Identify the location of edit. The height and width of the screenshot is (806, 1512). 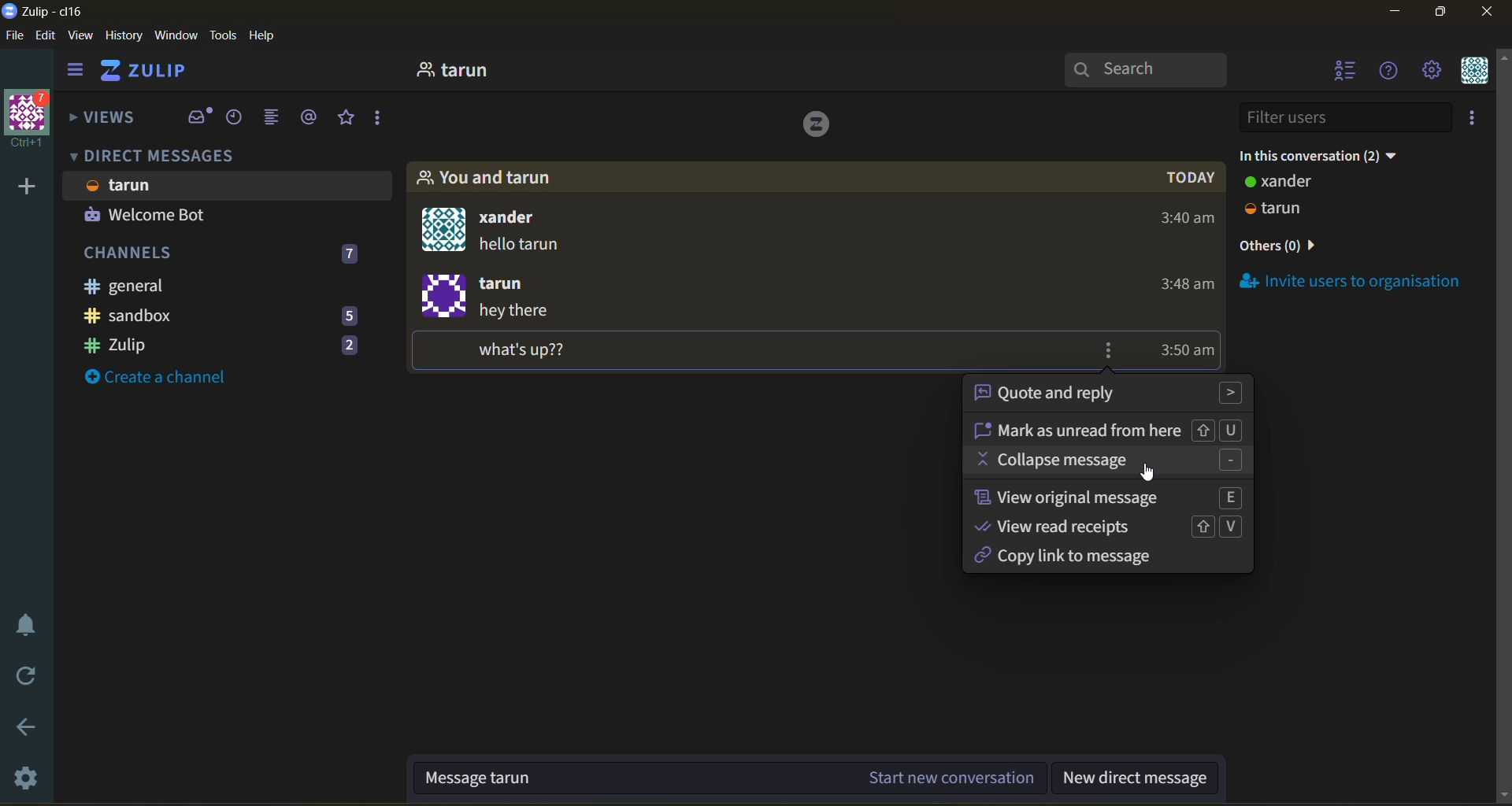
(46, 38).